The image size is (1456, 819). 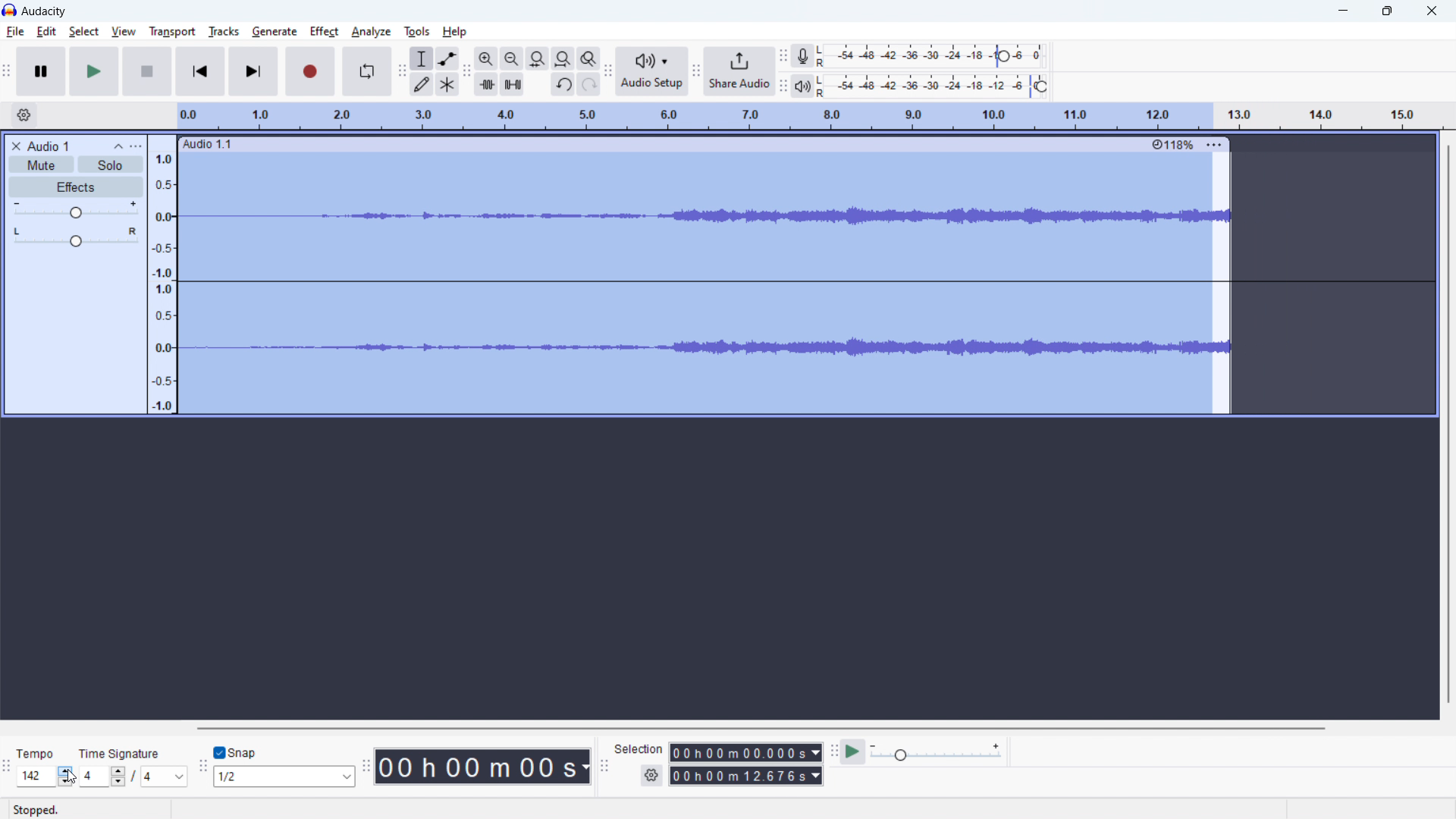 What do you see at coordinates (48, 145) in the screenshot?
I see `project title` at bounding box center [48, 145].